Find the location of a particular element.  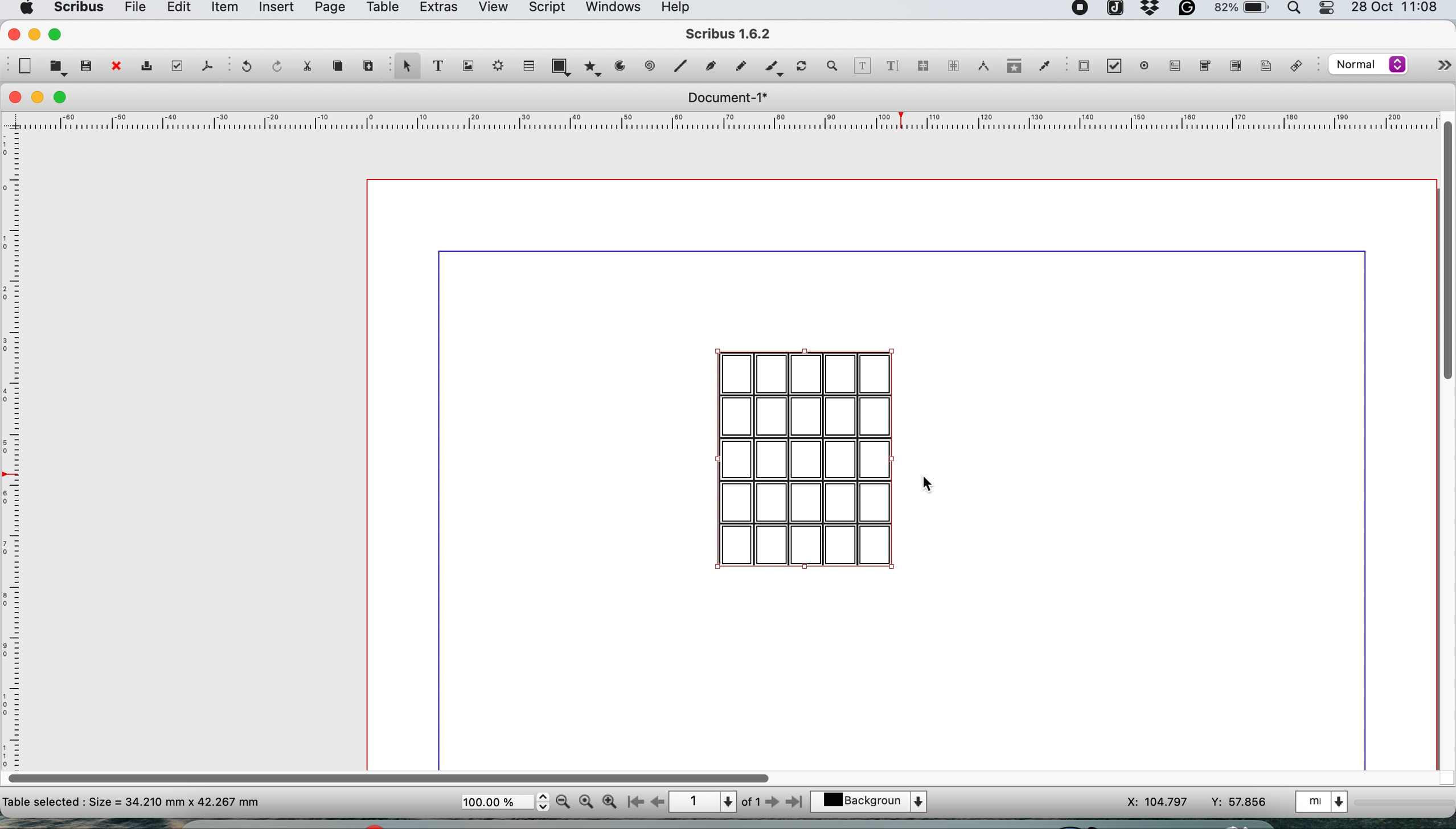

new is located at coordinates (23, 66).